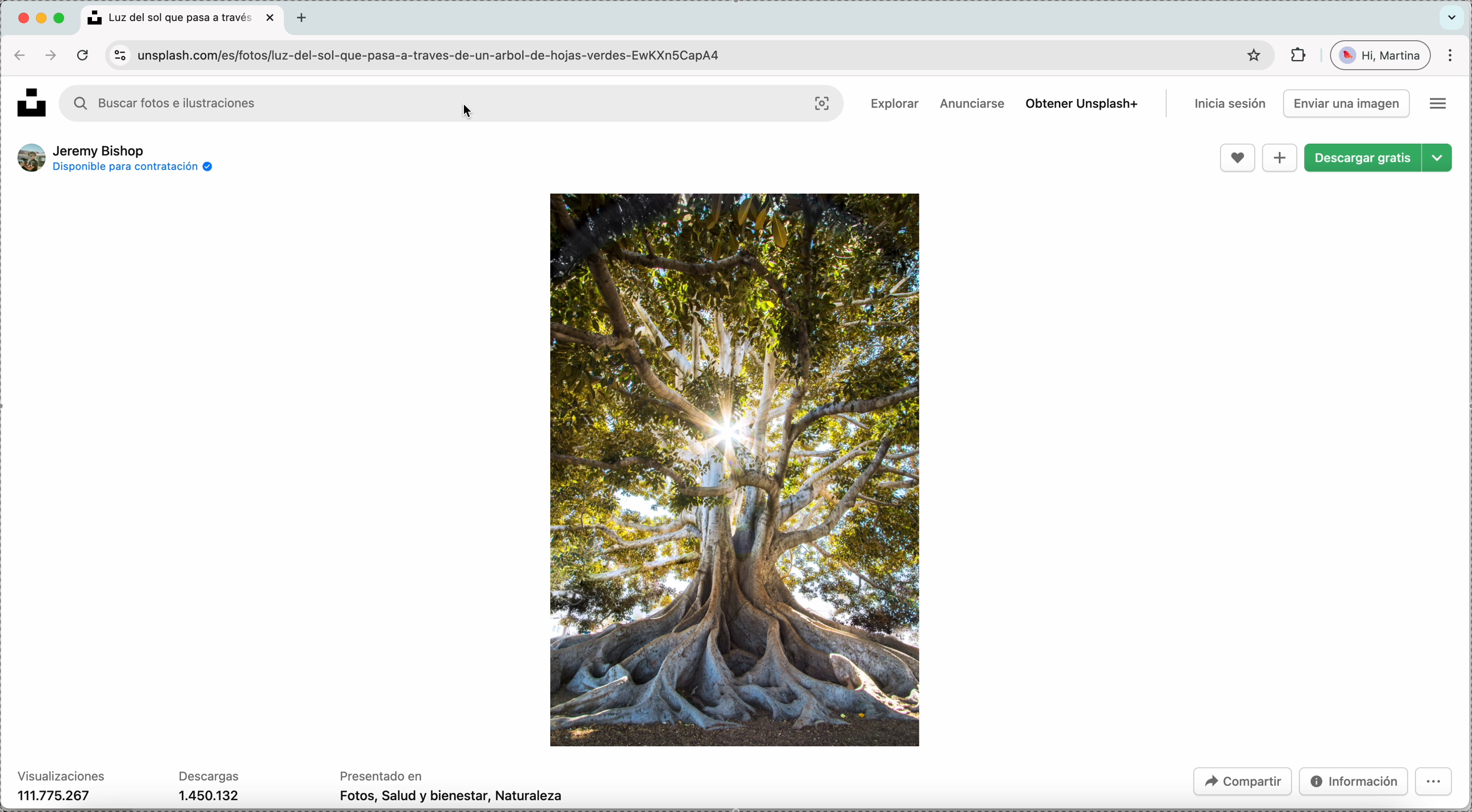 The width and height of the screenshot is (1472, 812). Describe the element at coordinates (1079, 103) in the screenshot. I see `get unsplash +` at that location.